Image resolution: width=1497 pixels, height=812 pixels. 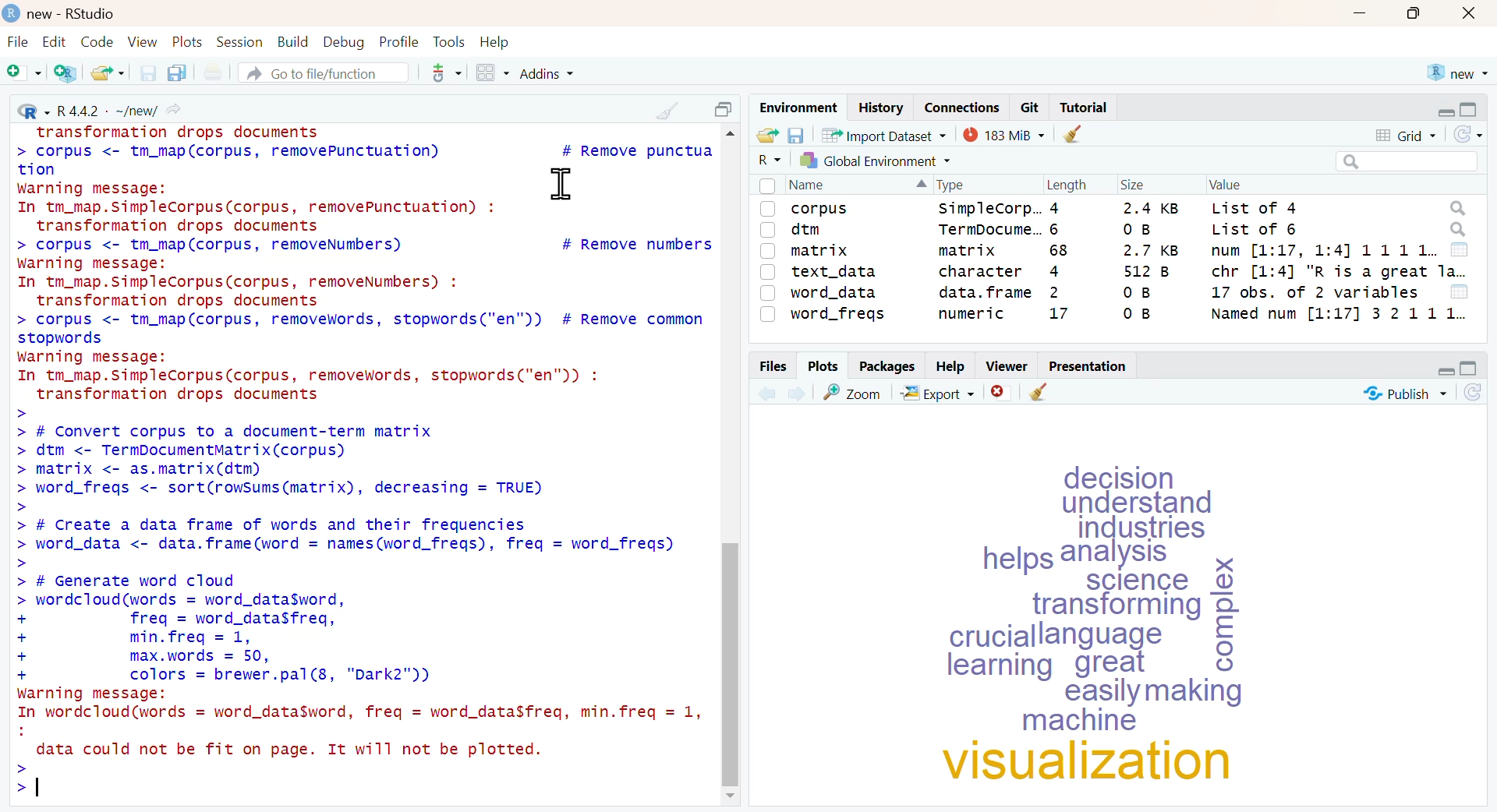 What do you see at coordinates (888, 366) in the screenshot?
I see `Packages` at bounding box center [888, 366].